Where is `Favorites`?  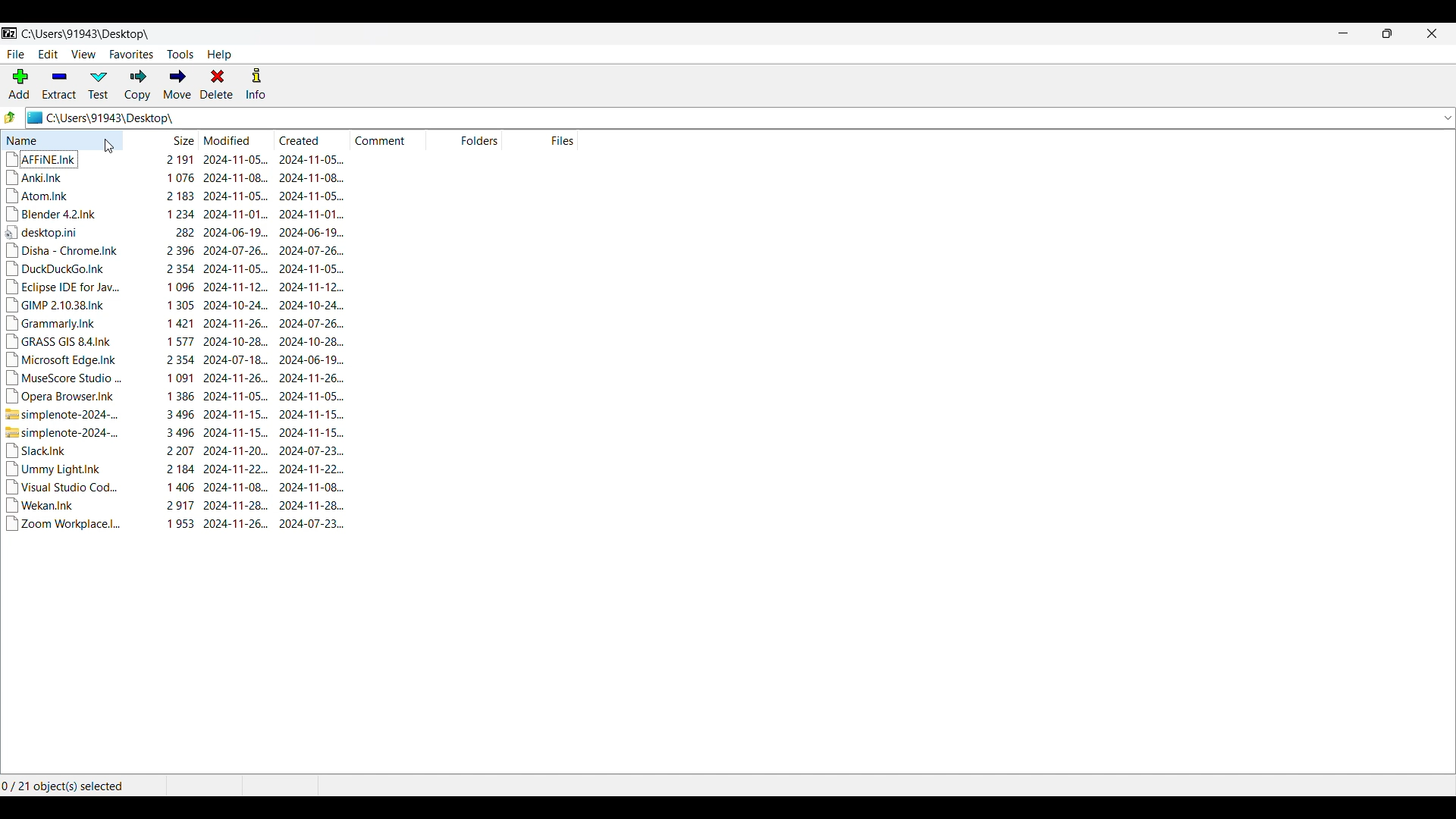
Favorites is located at coordinates (132, 55).